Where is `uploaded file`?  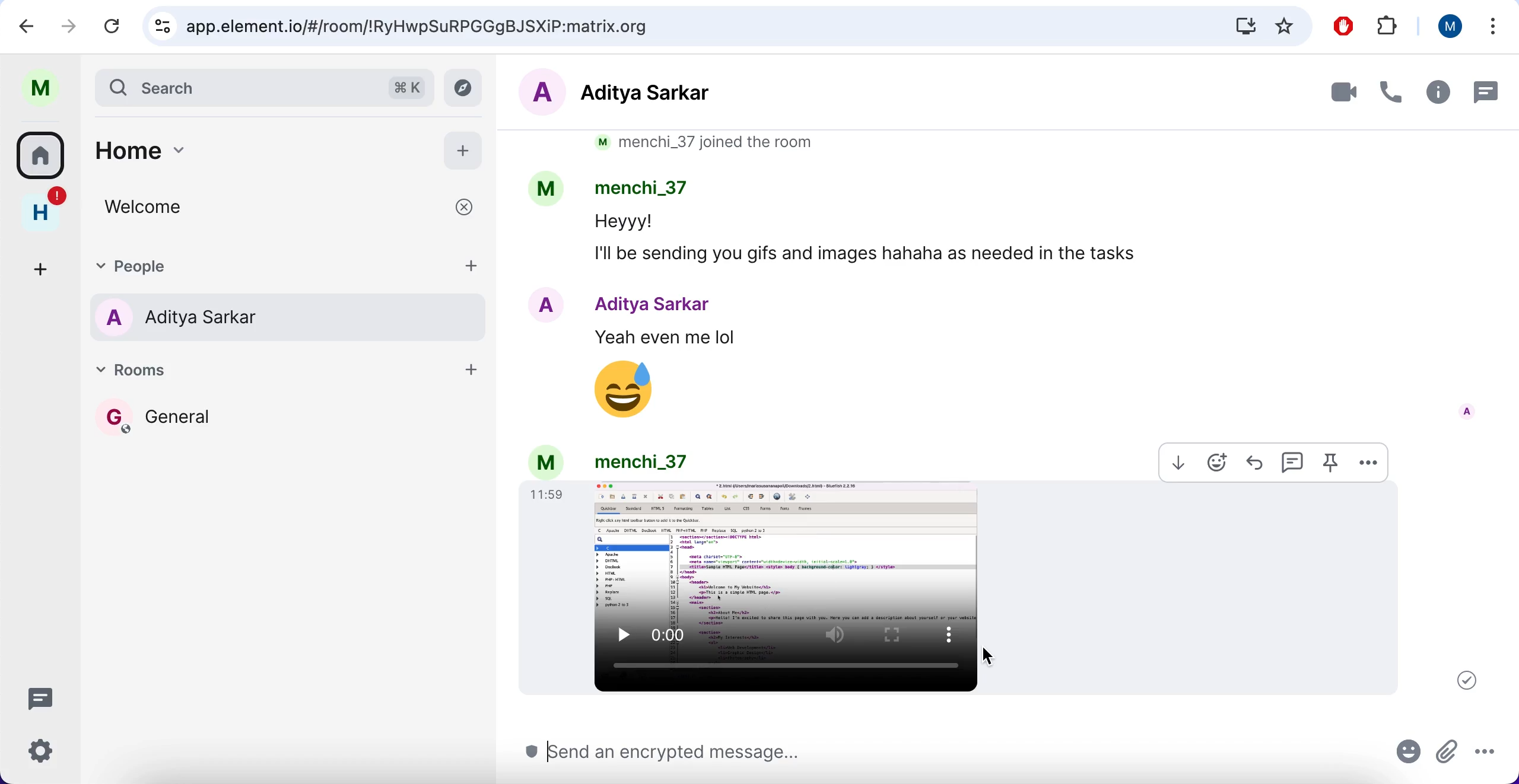 uploaded file is located at coordinates (961, 588).